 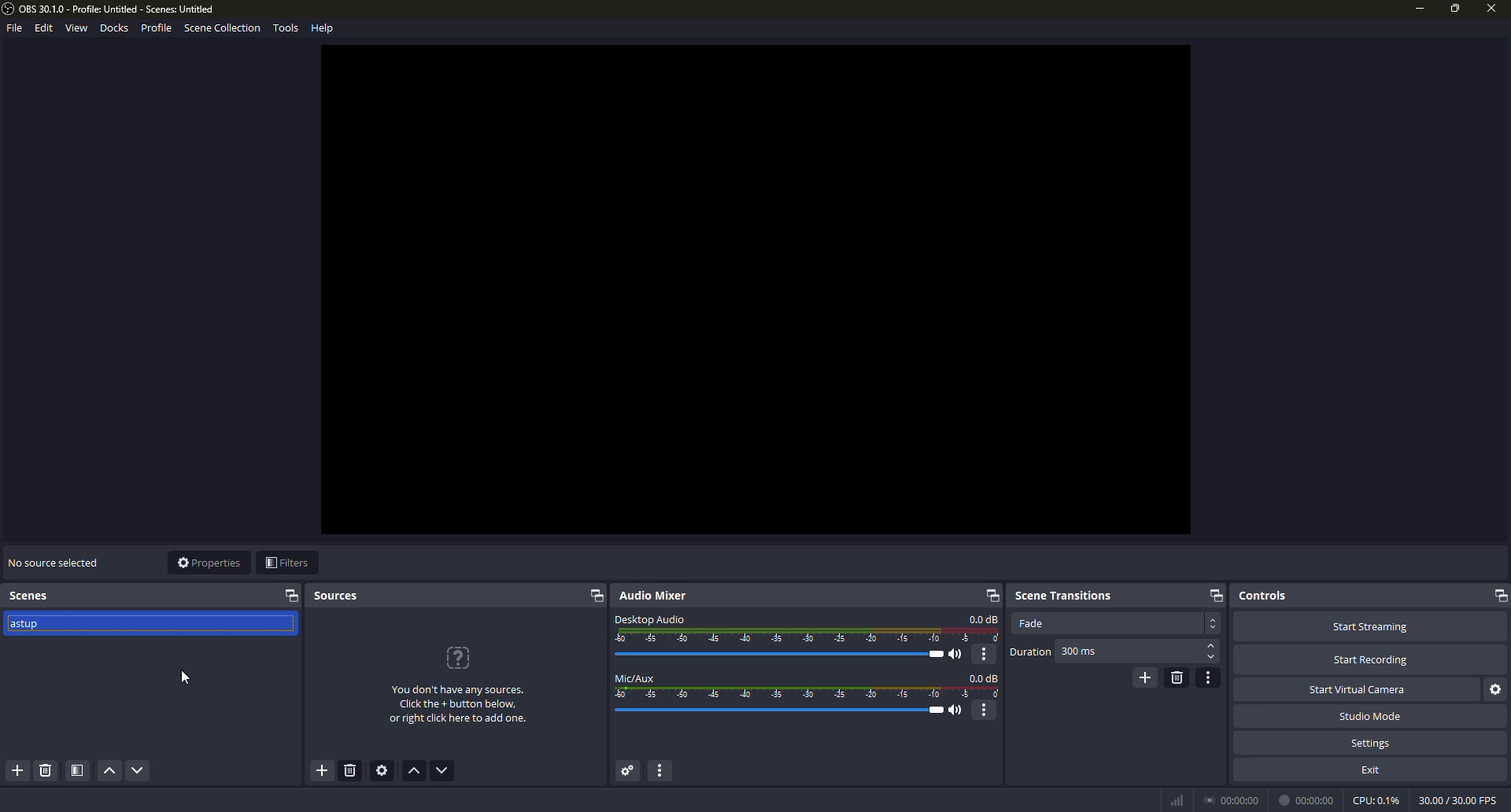 What do you see at coordinates (1455, 8) in the screenshot?
I see `maximize` at bounding box center [1455, 8].